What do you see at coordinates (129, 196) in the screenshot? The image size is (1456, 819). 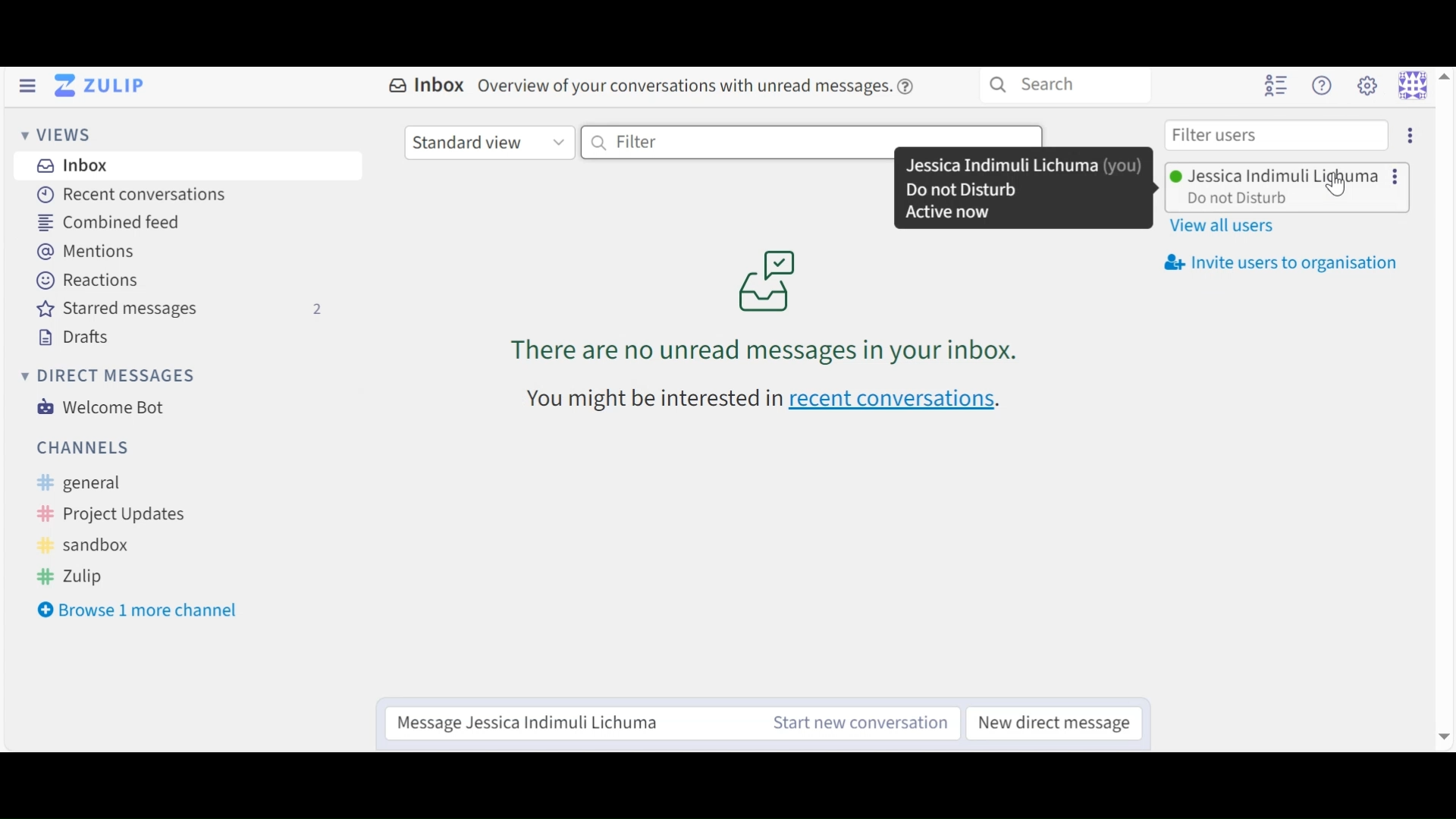 I see `Recent Conversations` at bounding box center [129, 196].